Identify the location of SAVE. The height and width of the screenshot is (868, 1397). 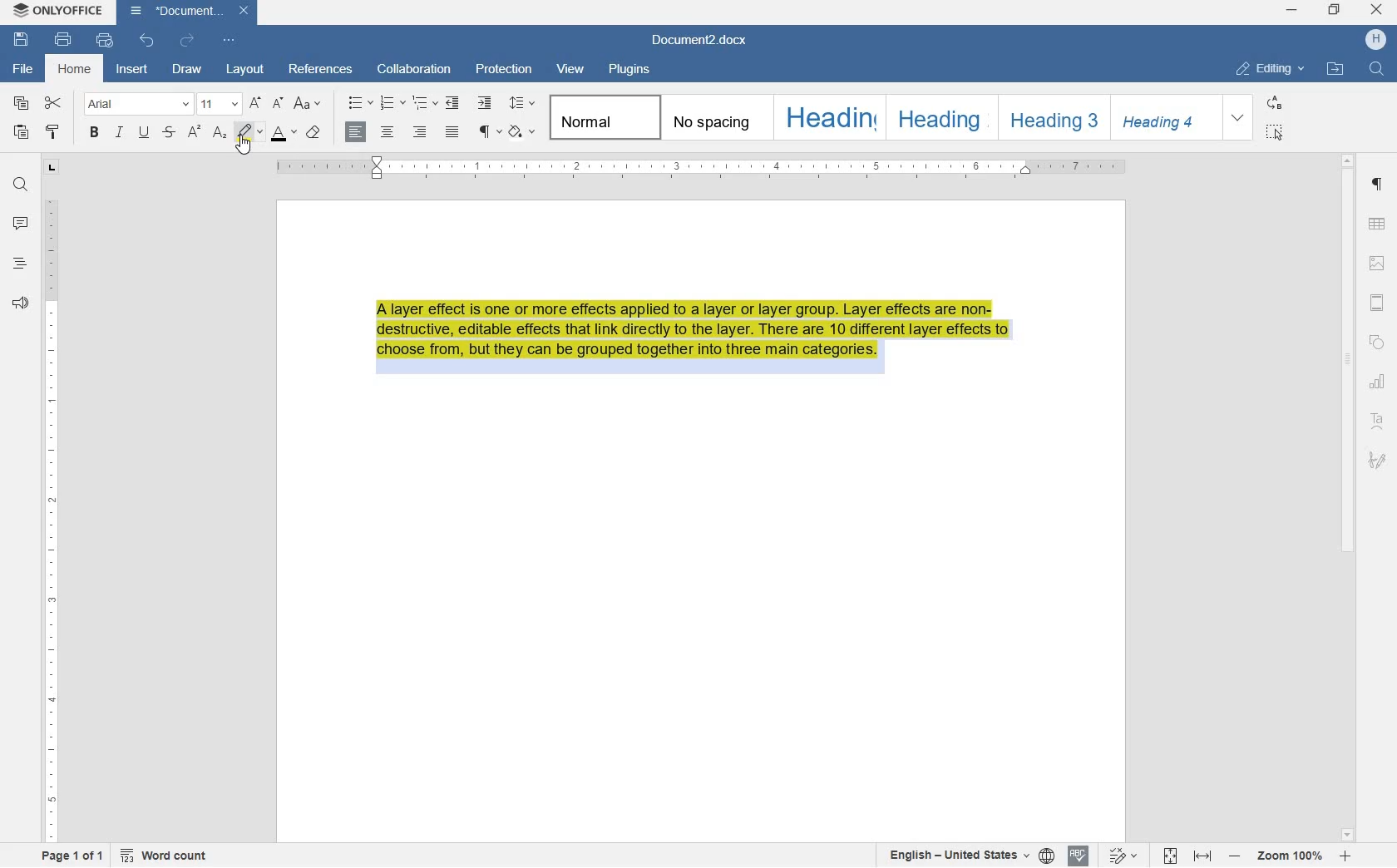
(21, 38).